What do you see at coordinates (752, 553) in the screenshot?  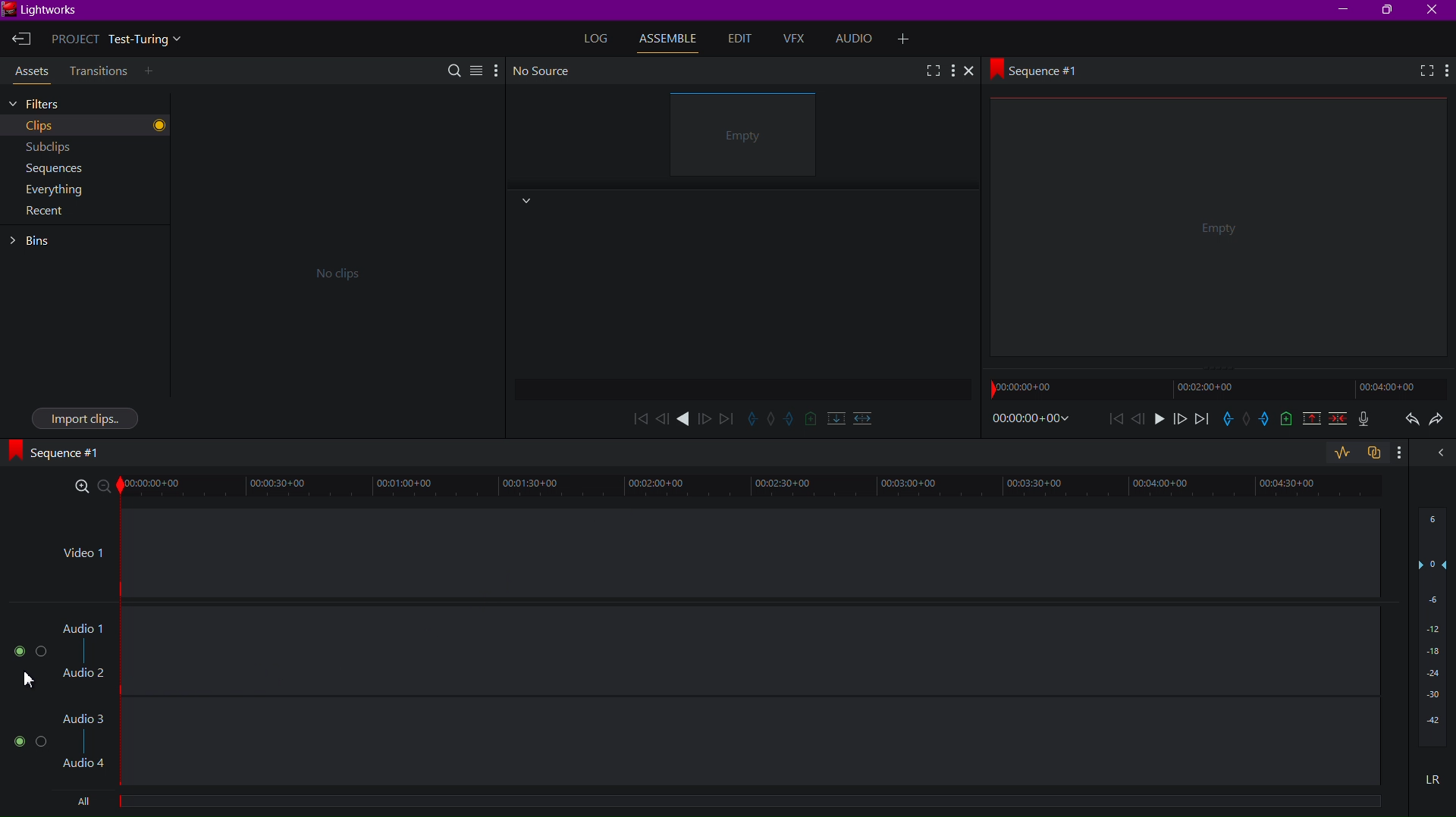 I see `Video Track` at bounding box center [752, 553].